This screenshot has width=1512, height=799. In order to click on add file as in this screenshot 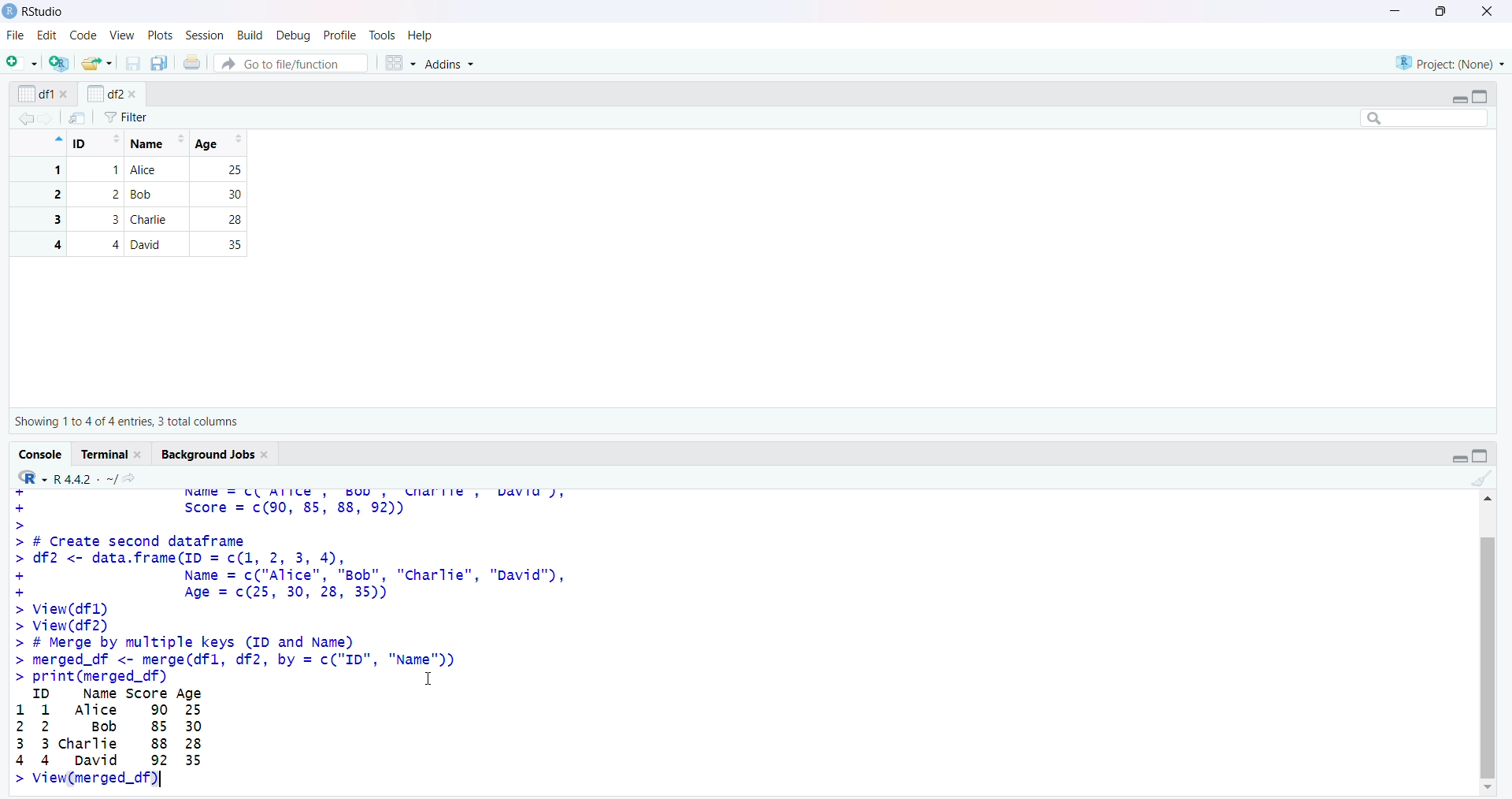, I will do `click(25, 62)`.